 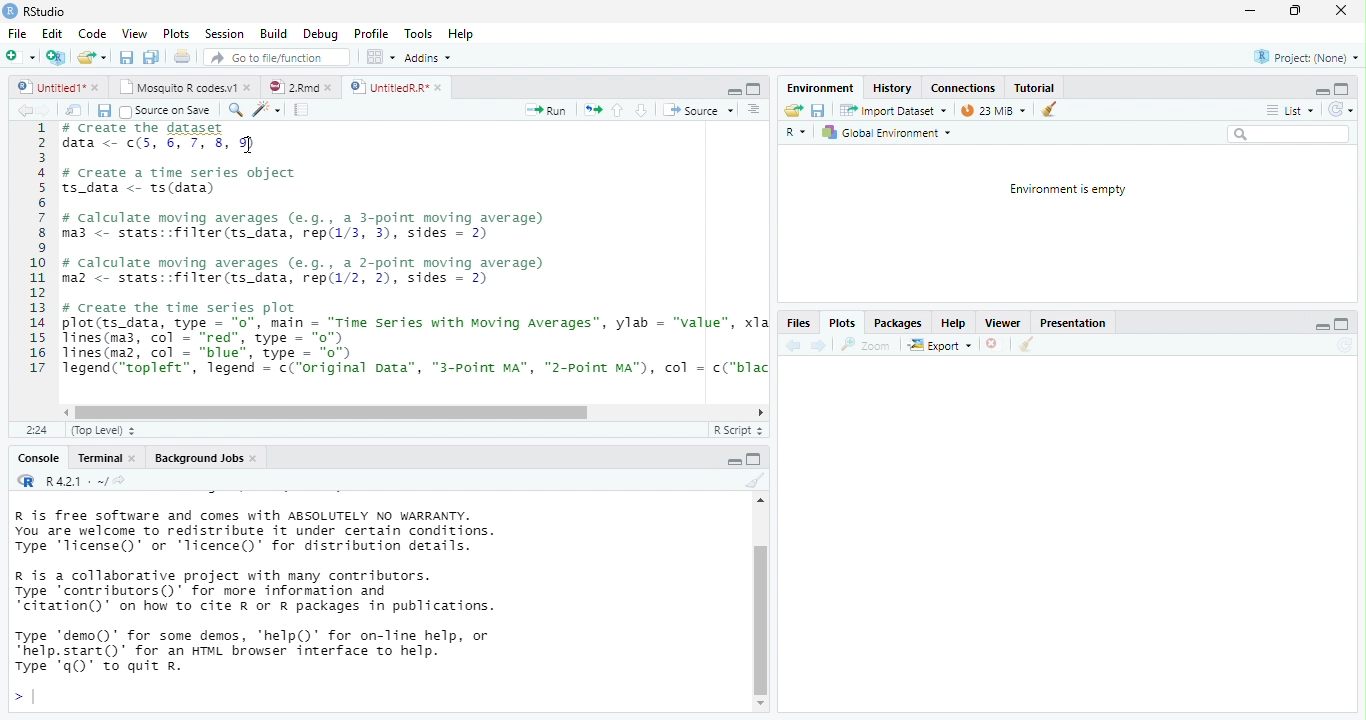 I want to click on Connections, so click(x=962, y=88).